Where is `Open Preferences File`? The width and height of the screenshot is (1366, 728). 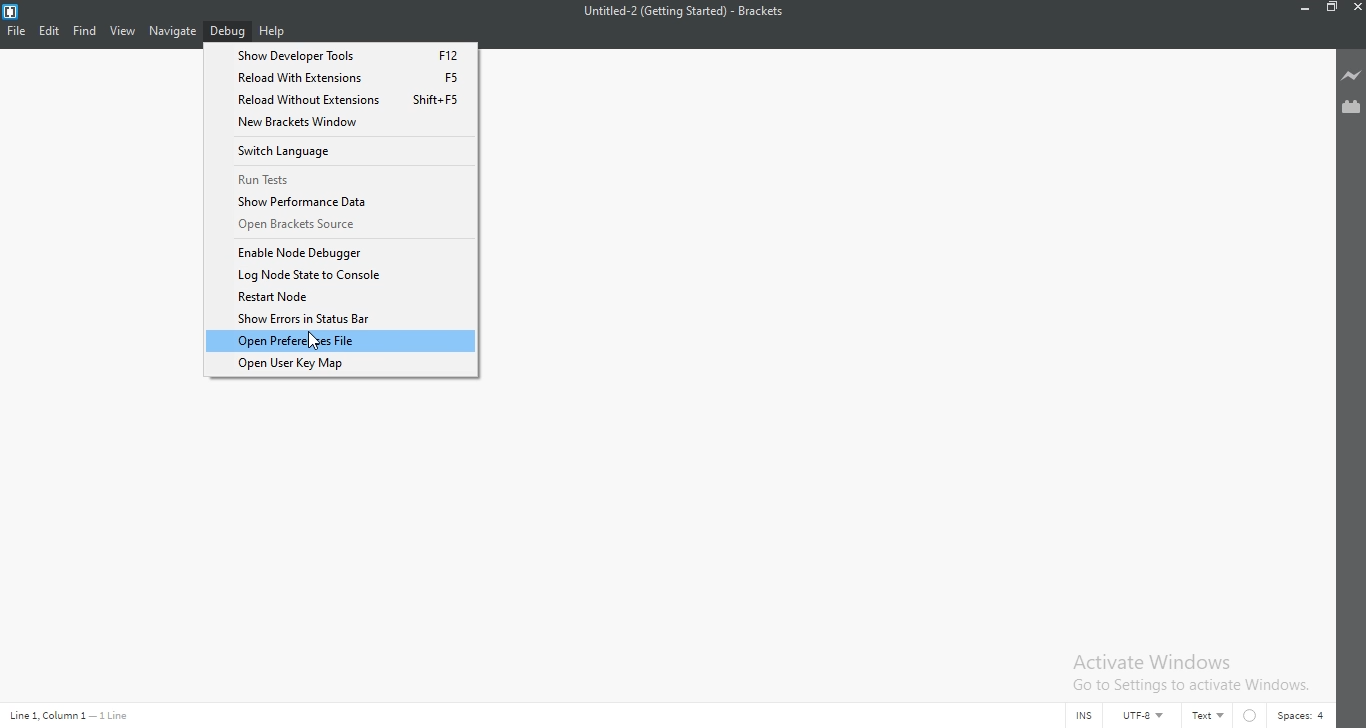
Open Preferences File is located at coordinates (341, 342).